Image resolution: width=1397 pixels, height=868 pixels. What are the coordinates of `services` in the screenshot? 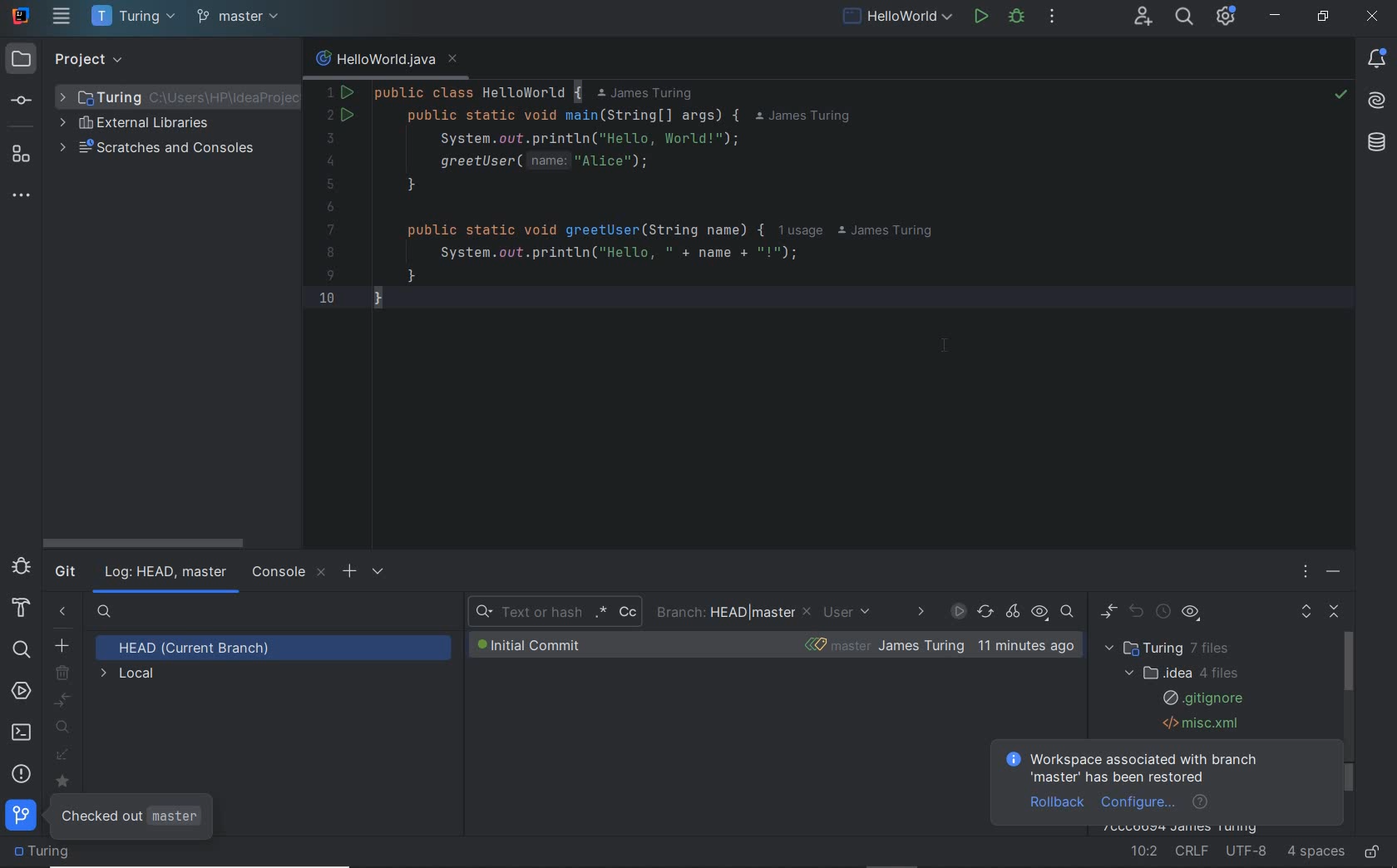 It's located at (22, 693).